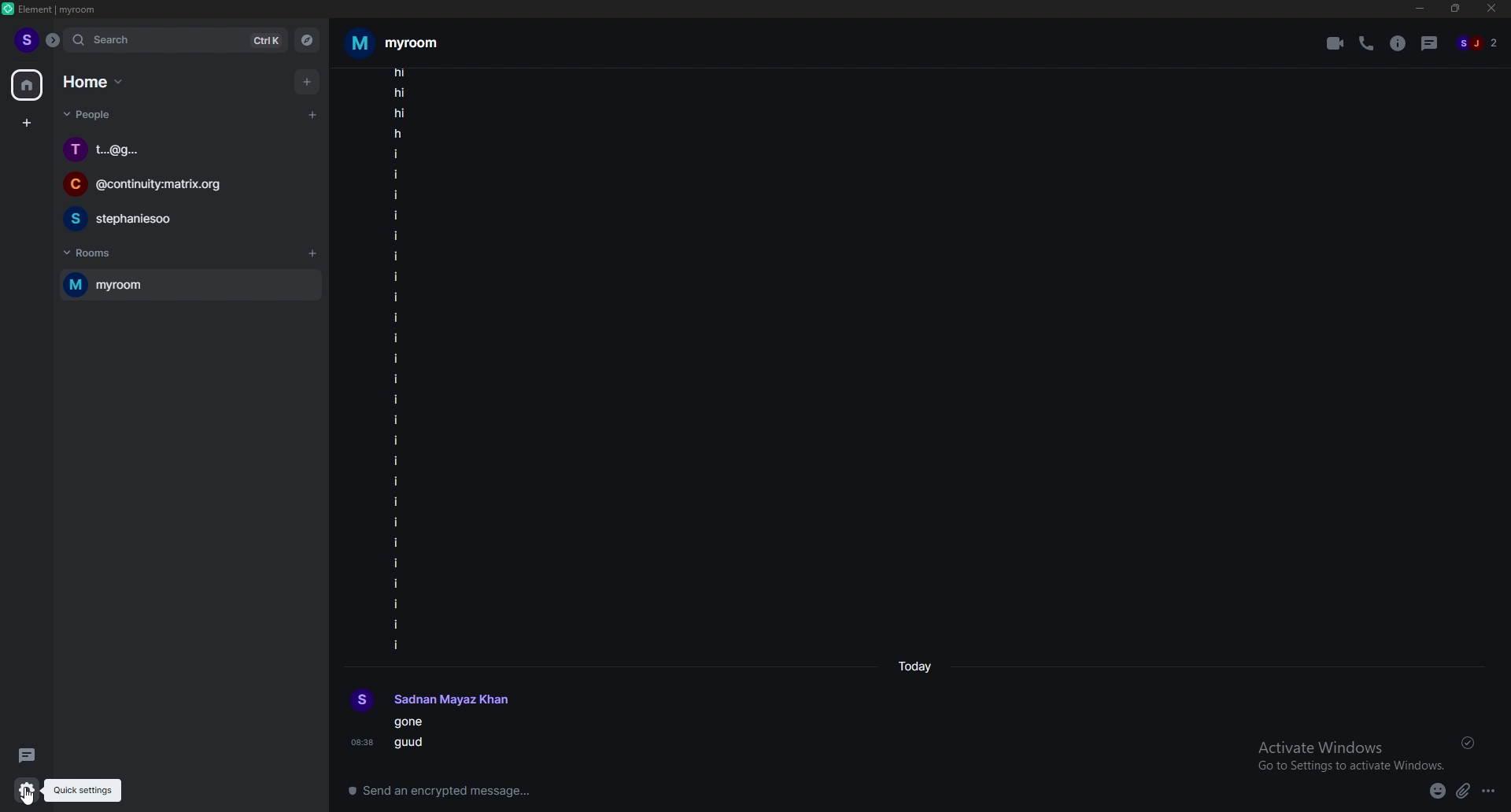 The width and height of the screenshot is (1511, 812). What do you see at coordinates (91, 114) in the screenshot?
I see `people` at bounding box center [91, 114].